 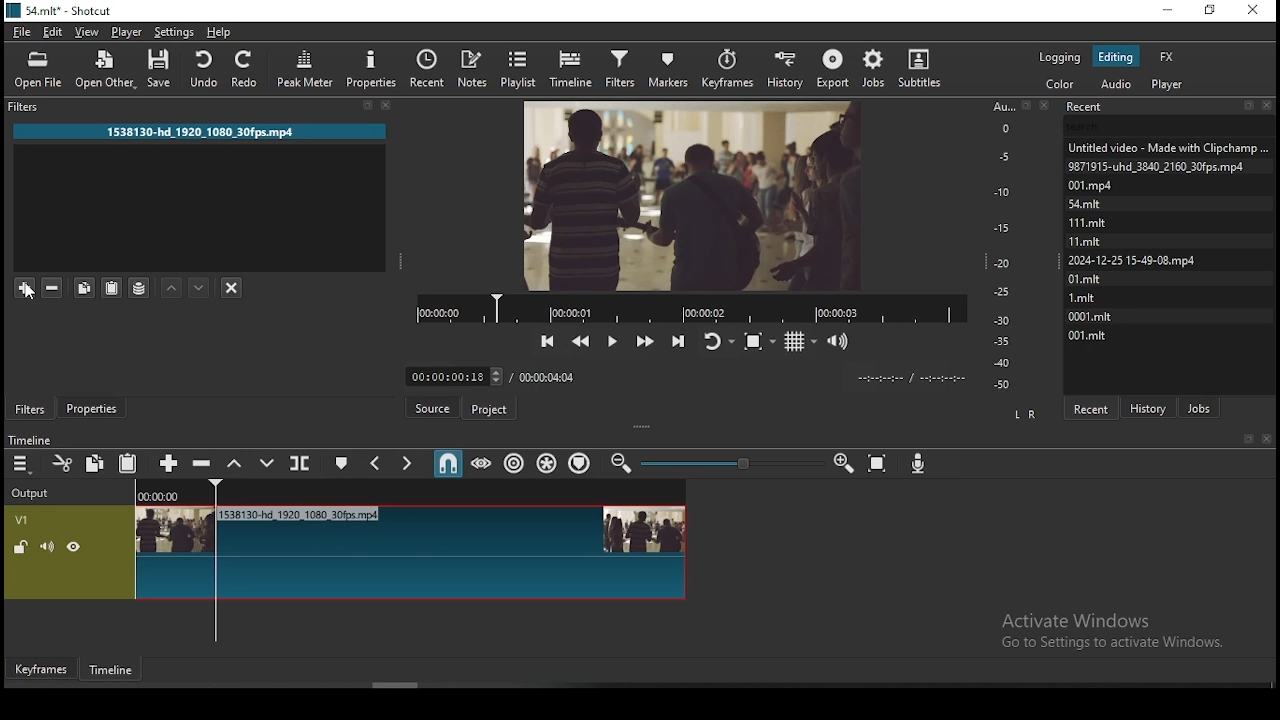 What do you see at coordinates (487, 406) in the screenshot?
I see `project` at bounding box center [487, 406].